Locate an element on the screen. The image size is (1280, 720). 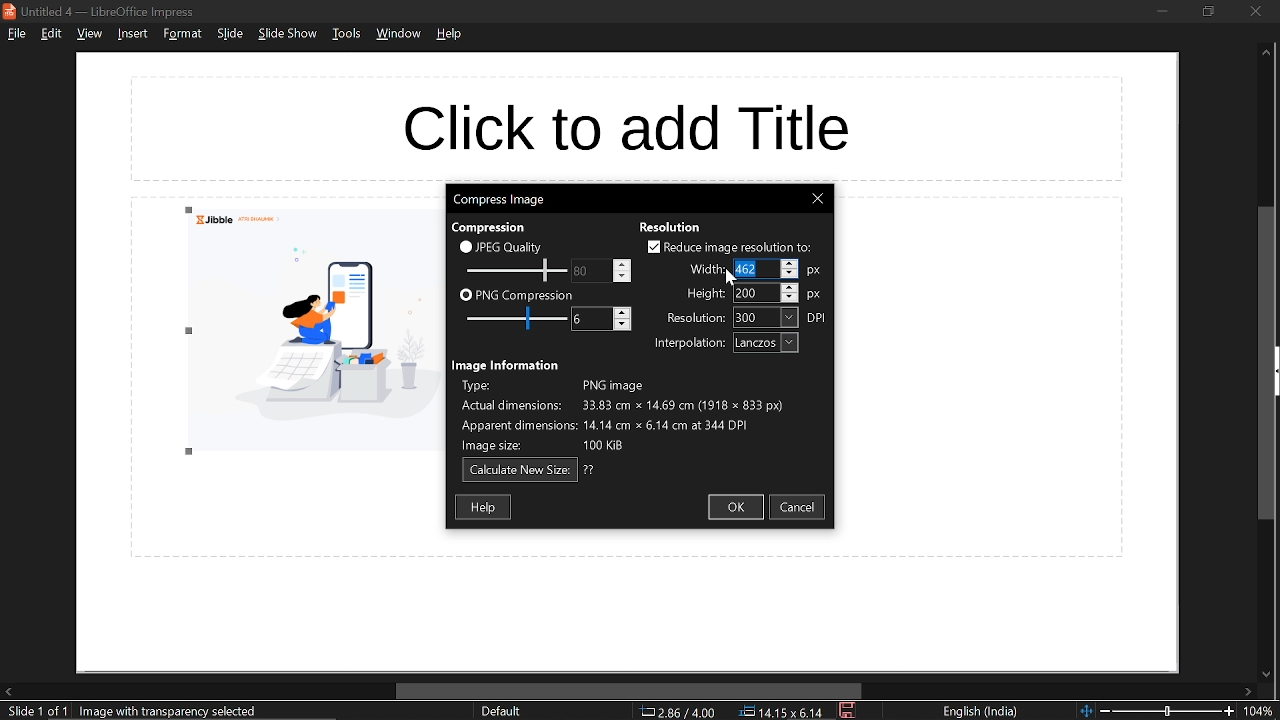
resolution is located at coordinates (691, 319).